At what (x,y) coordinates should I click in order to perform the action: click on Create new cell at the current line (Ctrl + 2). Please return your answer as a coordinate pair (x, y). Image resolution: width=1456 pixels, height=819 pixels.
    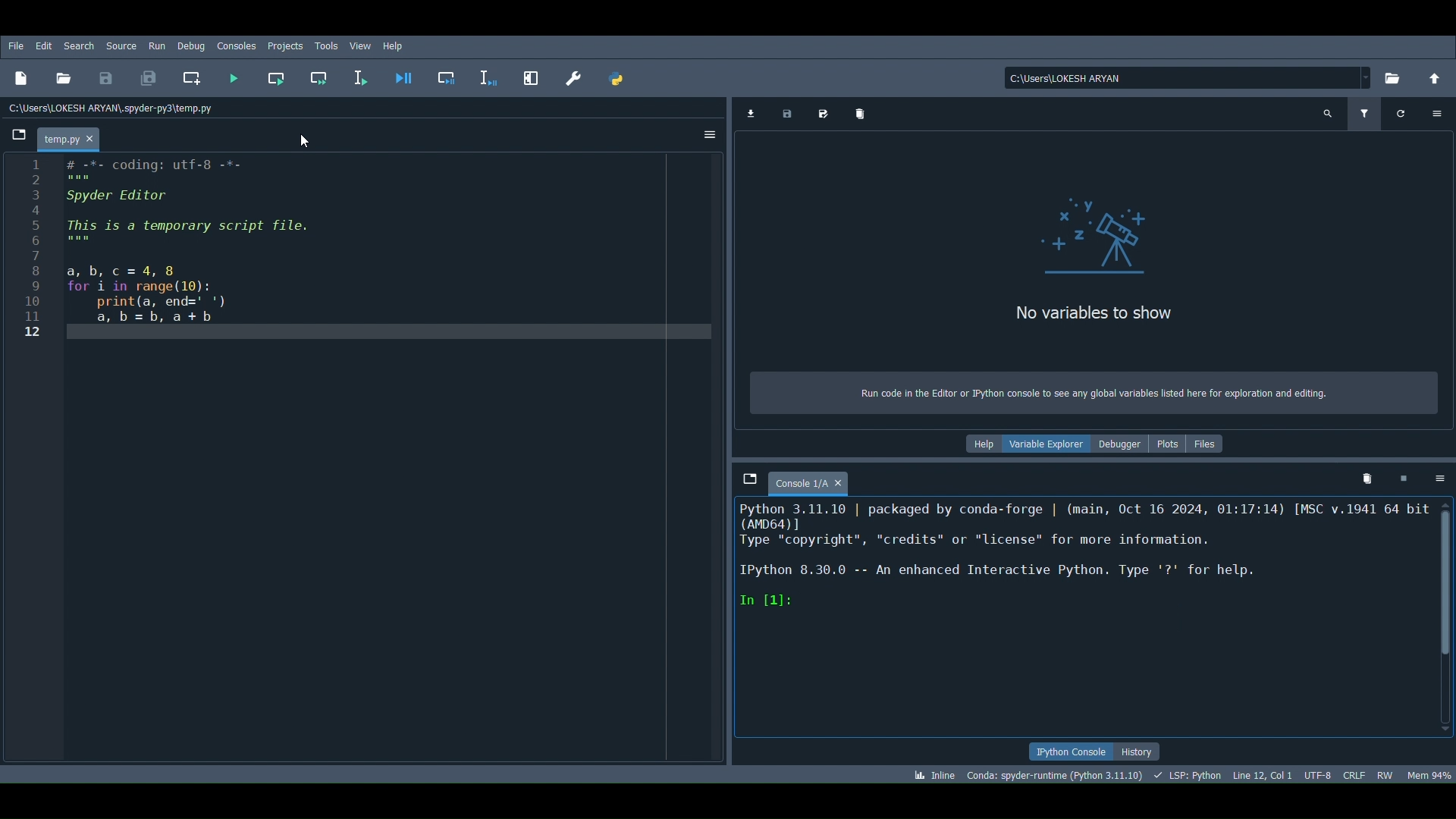
    Looking at the image, I should click on (190, 75).